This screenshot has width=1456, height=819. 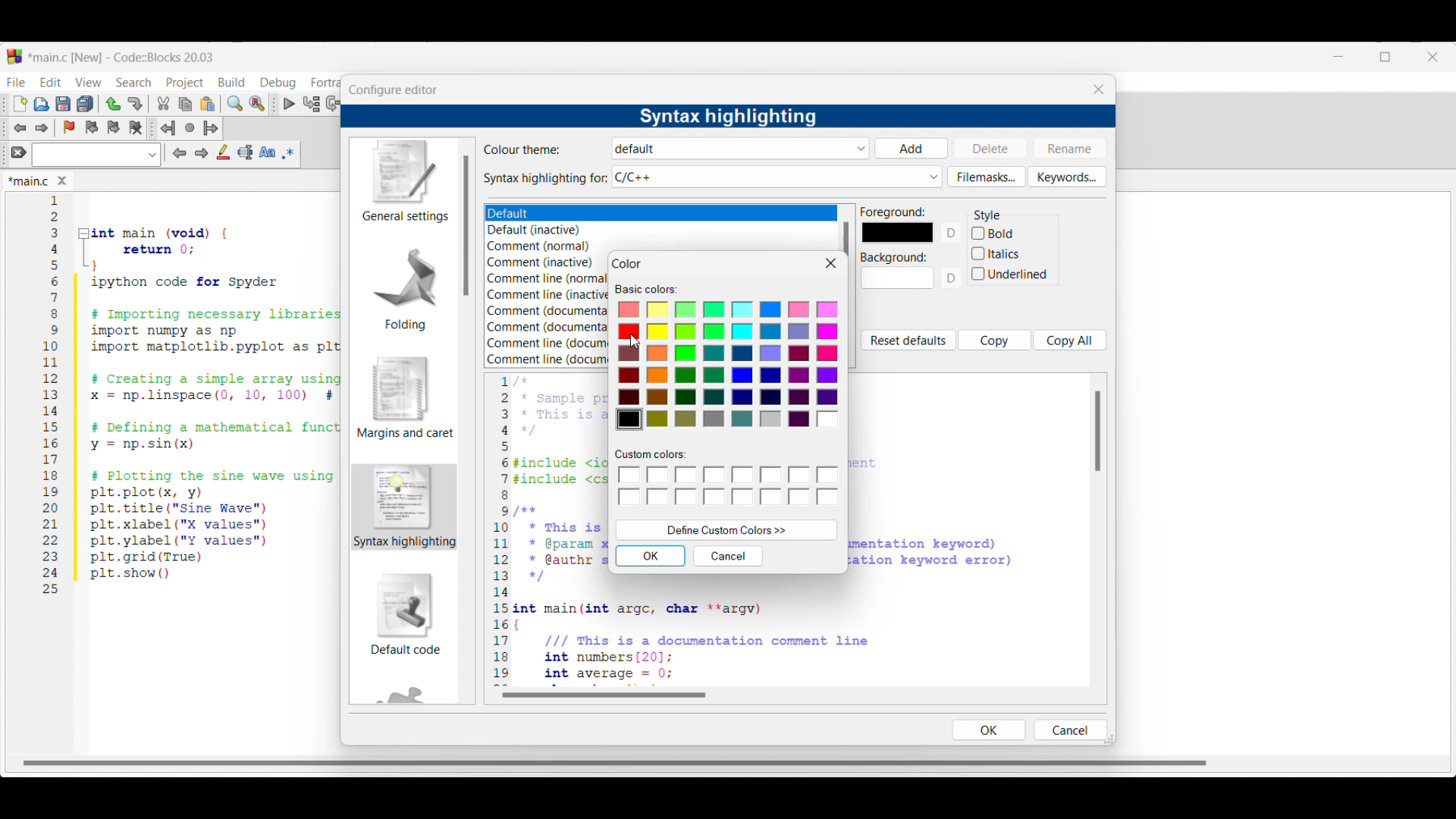 What do you see at coordinates (727, 530) in the screenshot?
I see `Define custom colors` at bounding box center [727, 530].